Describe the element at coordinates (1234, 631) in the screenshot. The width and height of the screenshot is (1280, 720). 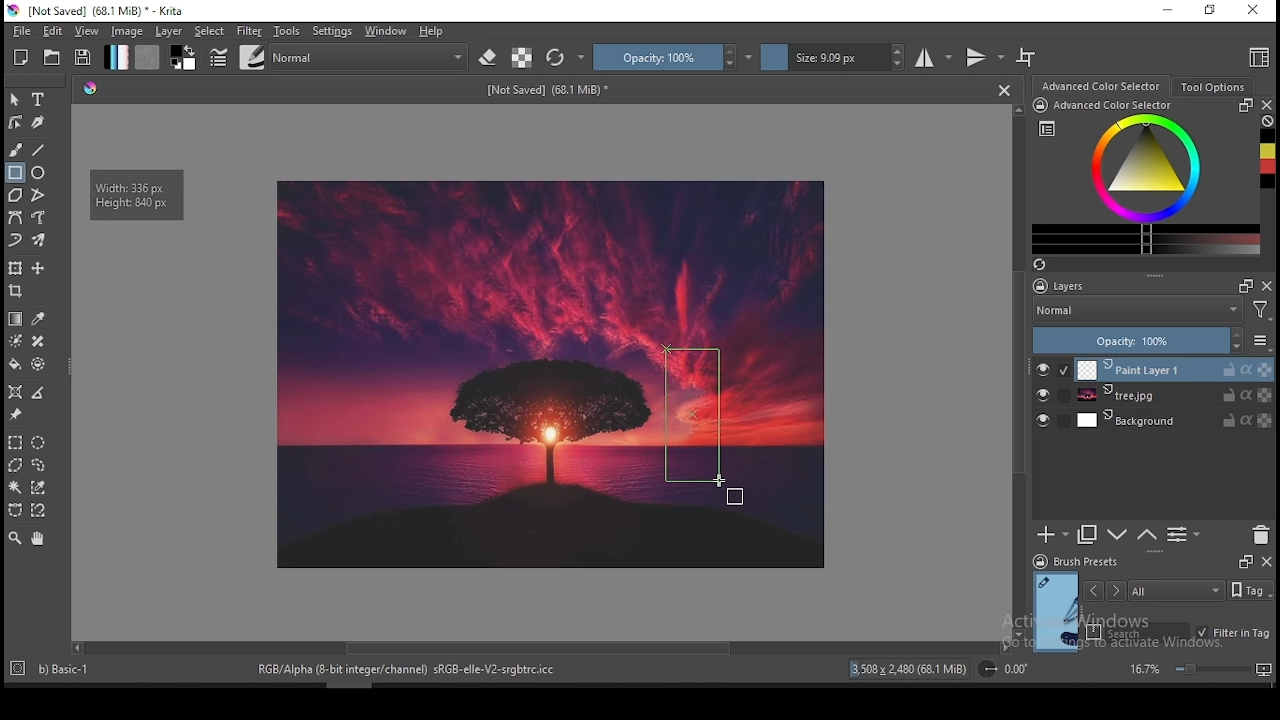
I see `filter in tag` at that location.